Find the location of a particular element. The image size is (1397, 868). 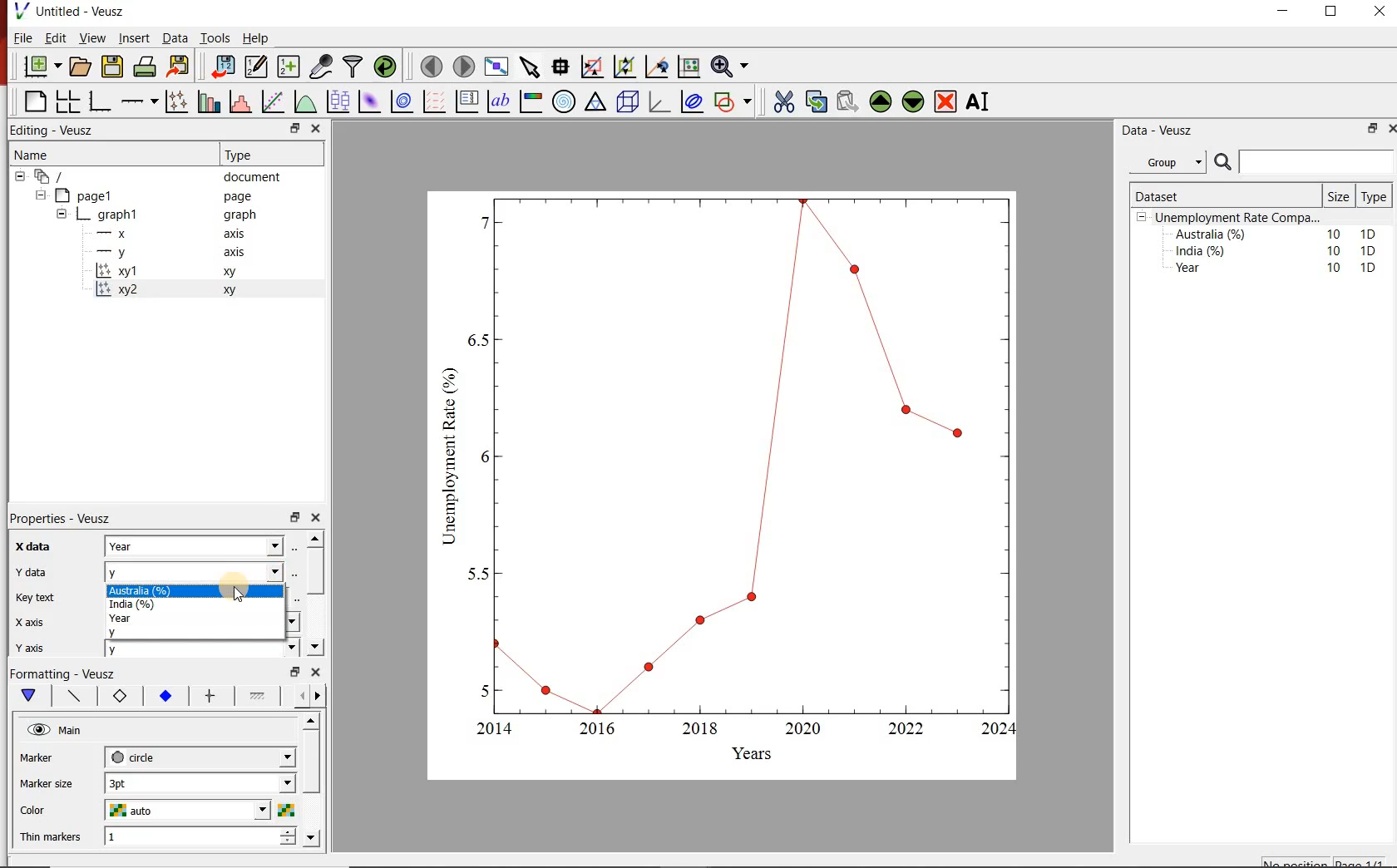

ternary graph is located at coordinates (595, 101).